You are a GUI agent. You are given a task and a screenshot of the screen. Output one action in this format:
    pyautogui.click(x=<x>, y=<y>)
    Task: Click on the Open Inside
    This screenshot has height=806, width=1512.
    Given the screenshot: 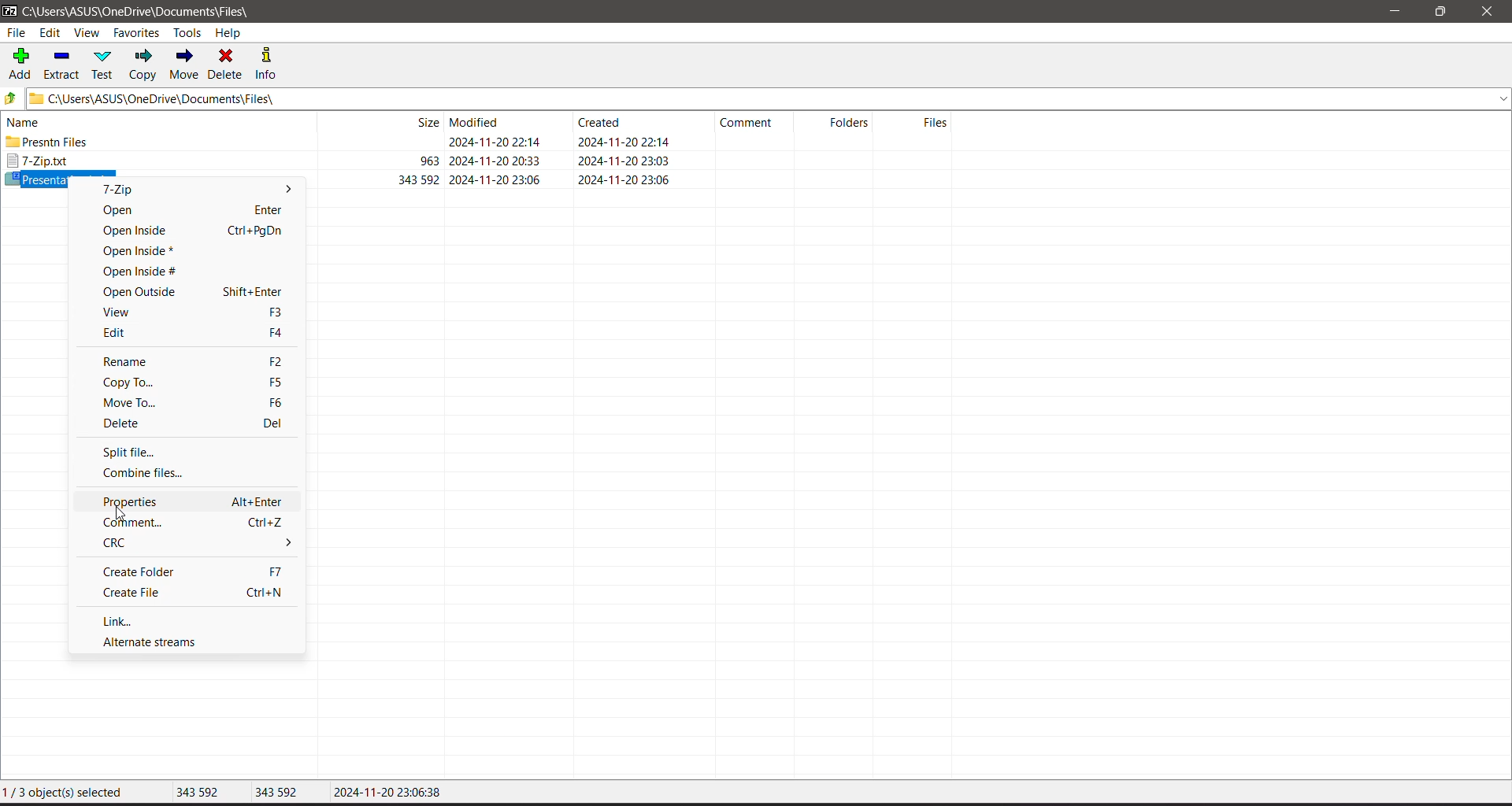 What is the action you would take?
    pyautogui.click(x=187, y=231)
    